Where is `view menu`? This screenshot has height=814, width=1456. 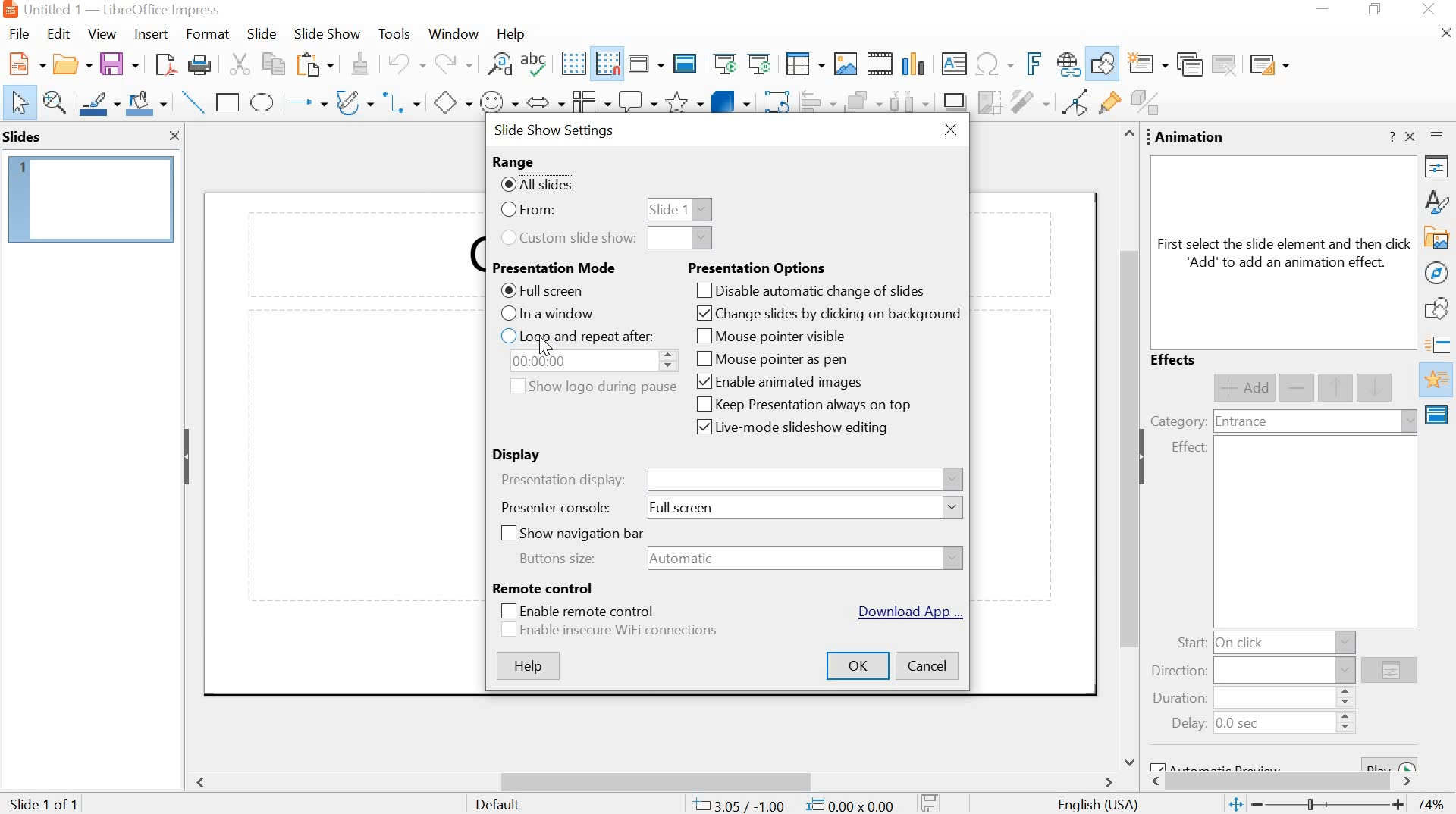 view menu is located at coordinates (102, 34).